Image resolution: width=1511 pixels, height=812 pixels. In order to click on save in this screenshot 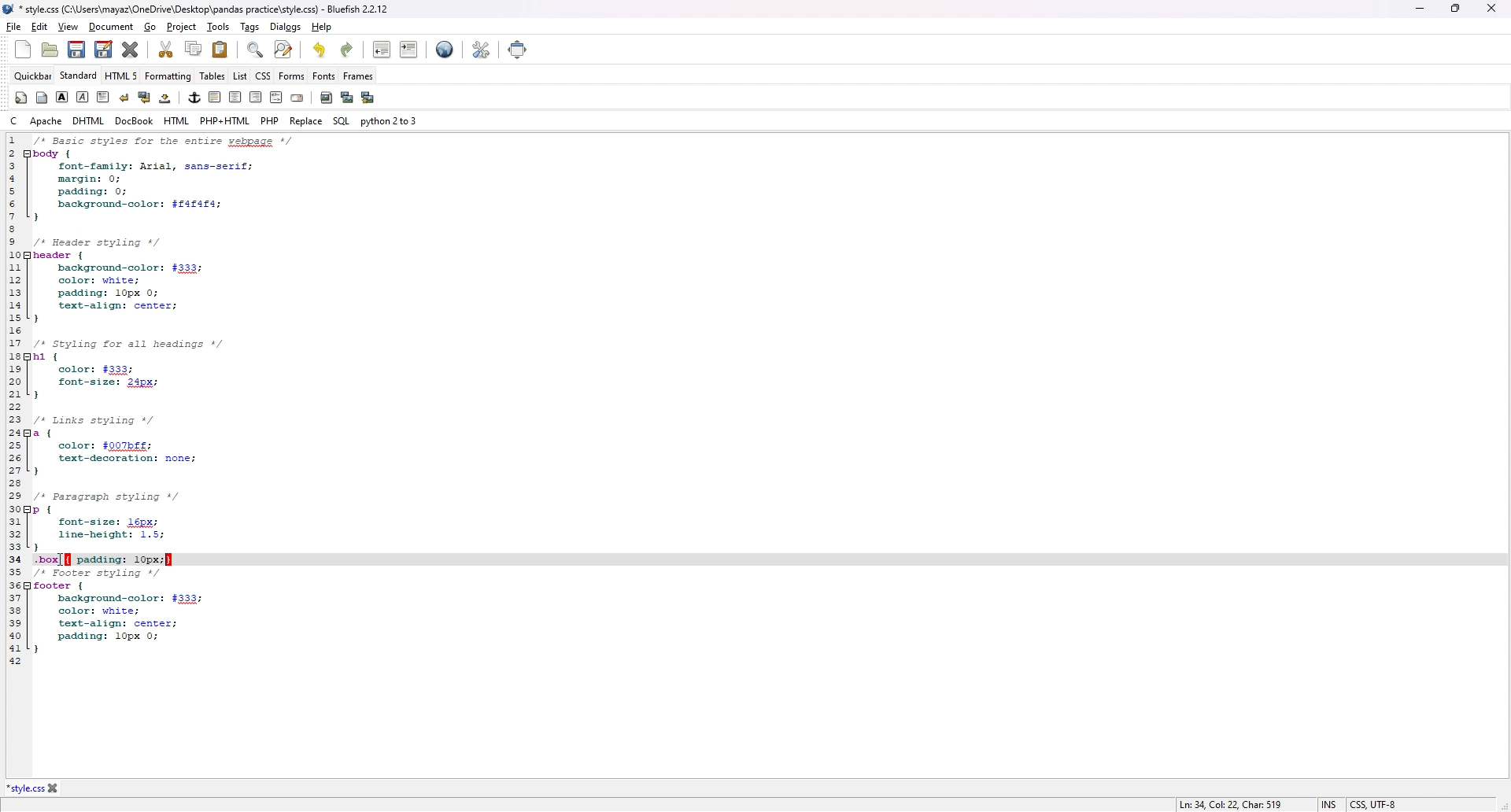, I will do `click(76, 50)`.